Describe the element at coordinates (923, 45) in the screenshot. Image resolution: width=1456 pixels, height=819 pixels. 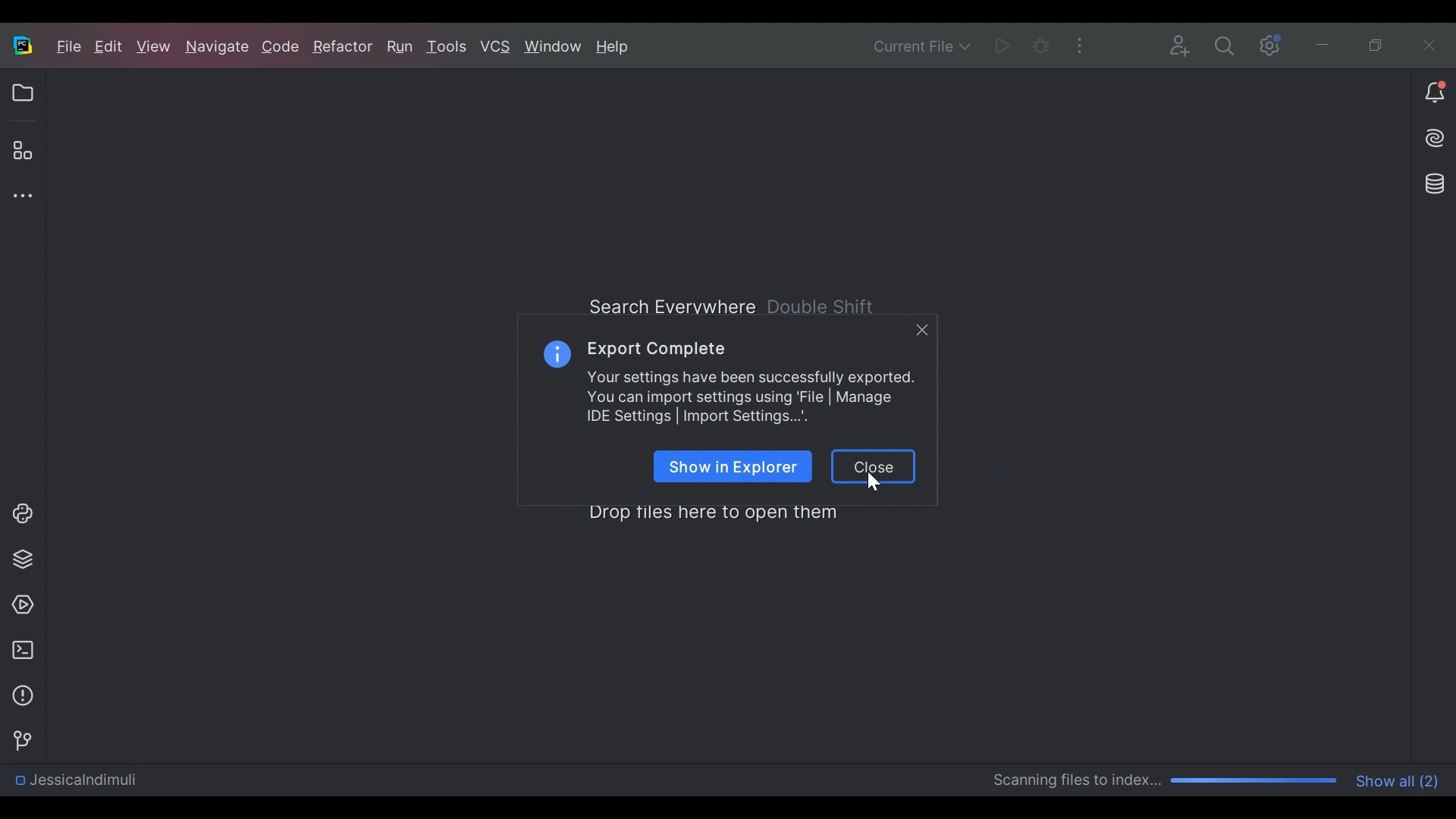
I see `Current File` at that location.